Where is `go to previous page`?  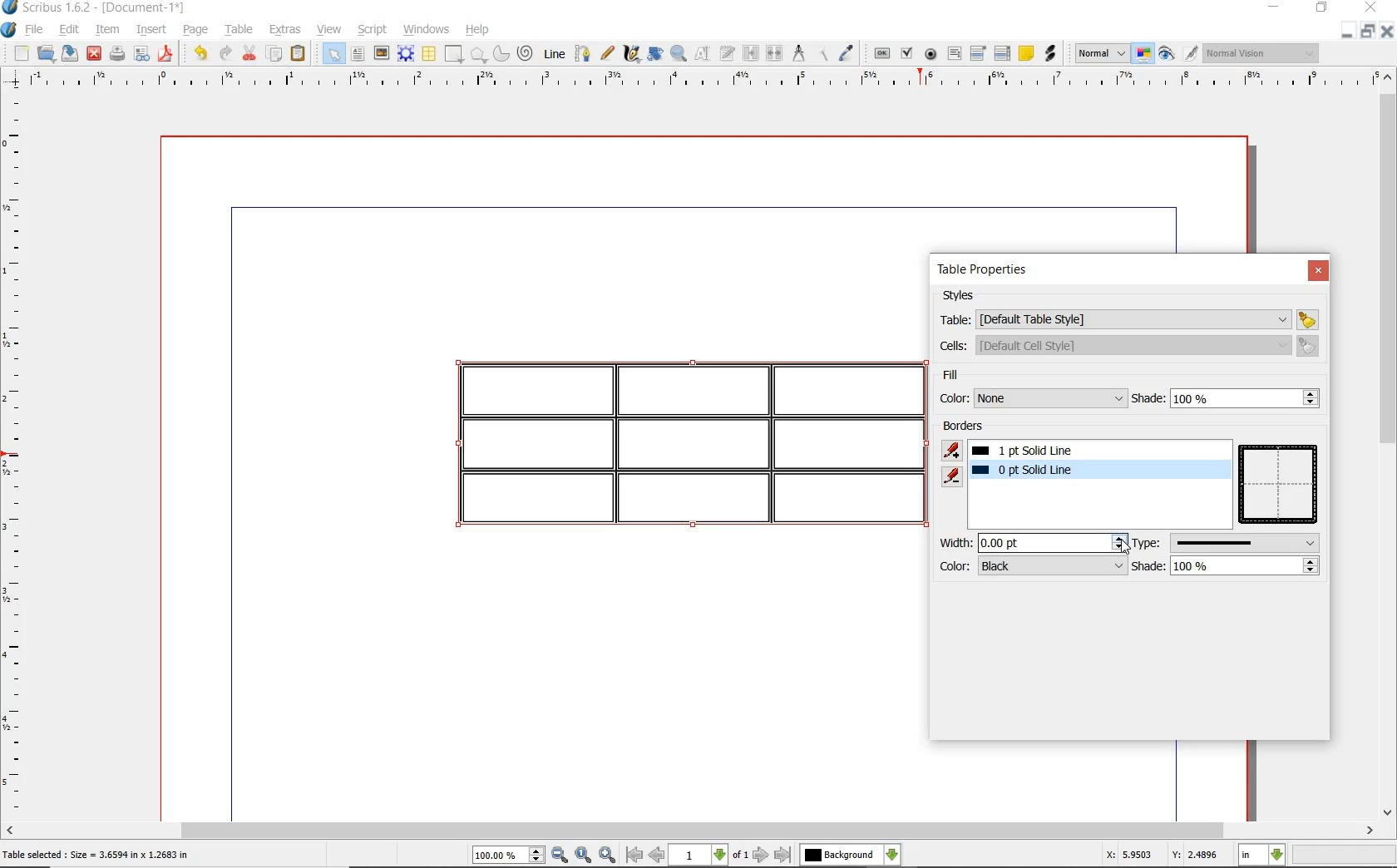
go to previous page is located at coordinates (657, 856).